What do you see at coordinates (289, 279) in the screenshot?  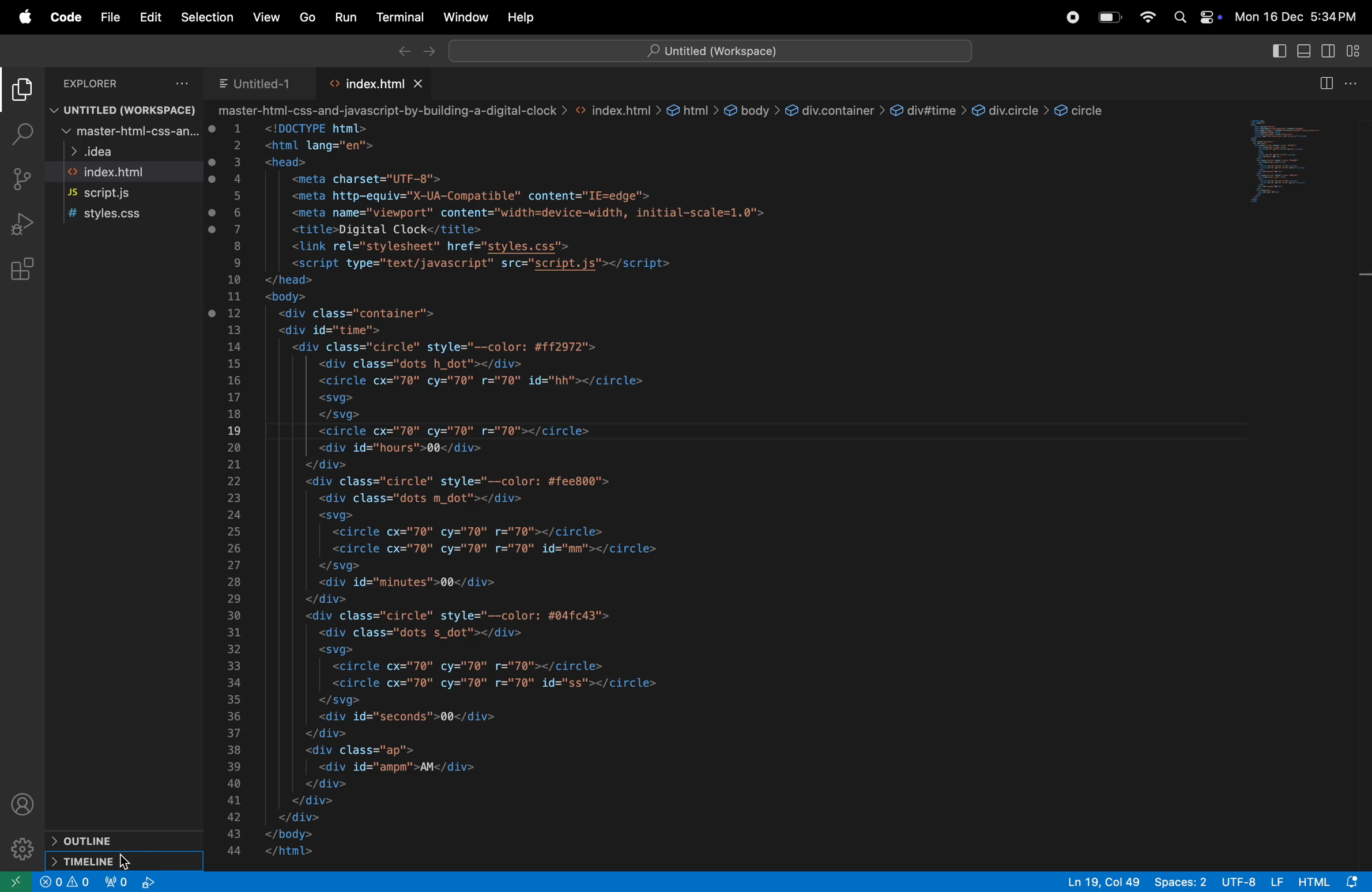 I see `</head>` at bounding box center [289, 279].